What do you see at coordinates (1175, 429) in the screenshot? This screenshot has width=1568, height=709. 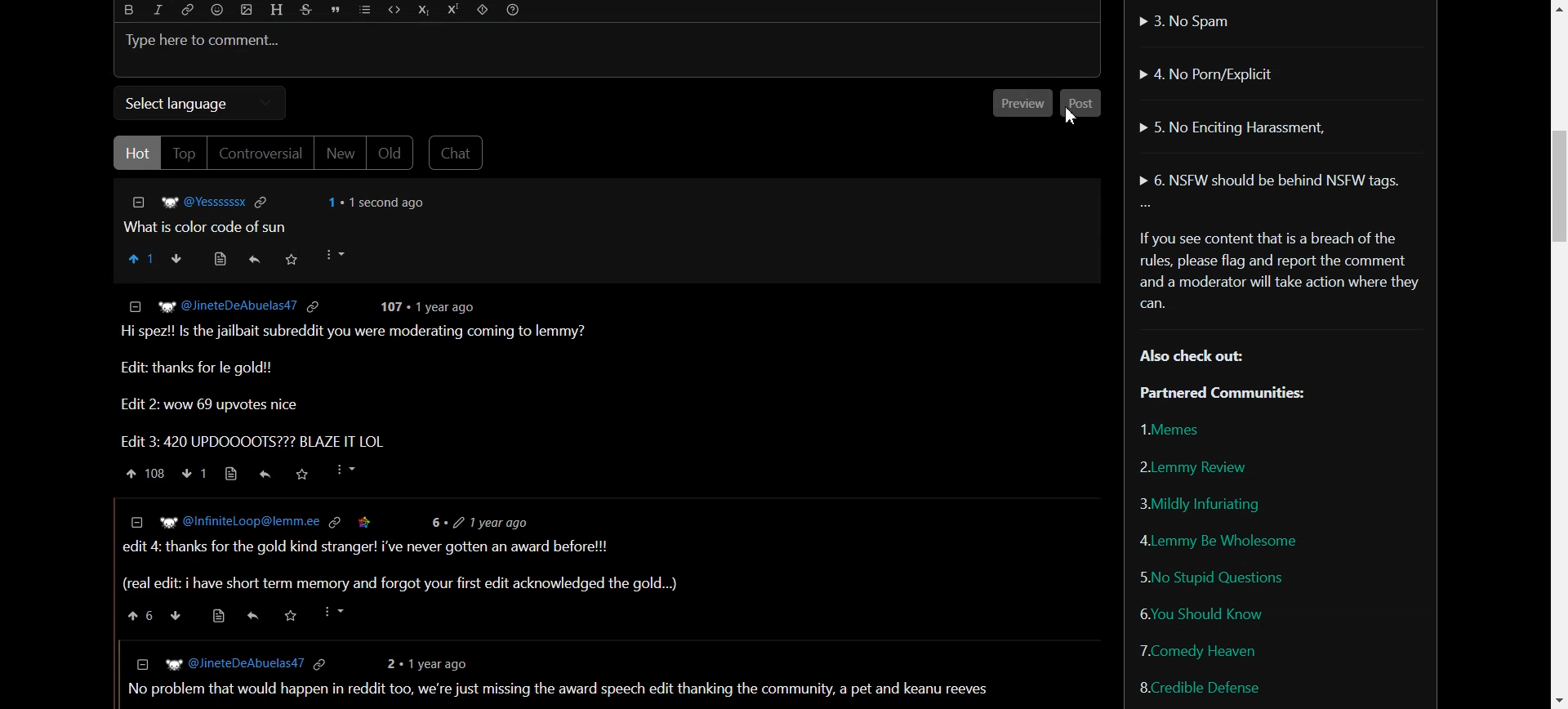 I see `Memes` at bounding box center [1175, 429].